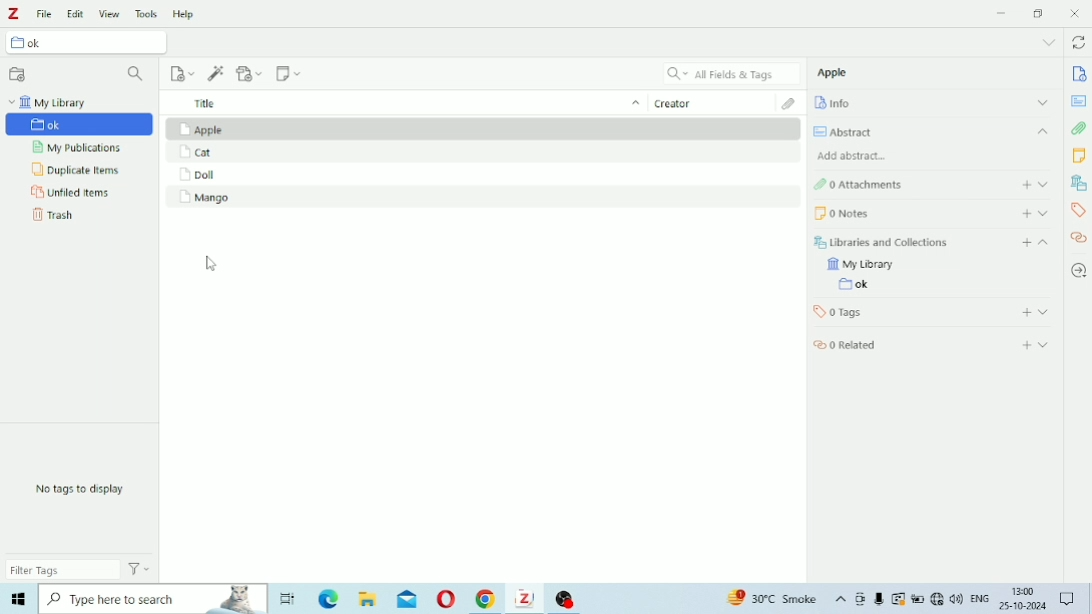 The height and width of the screenshot is (614, 1092). I want to click on Expand section, so click(1043, 184).